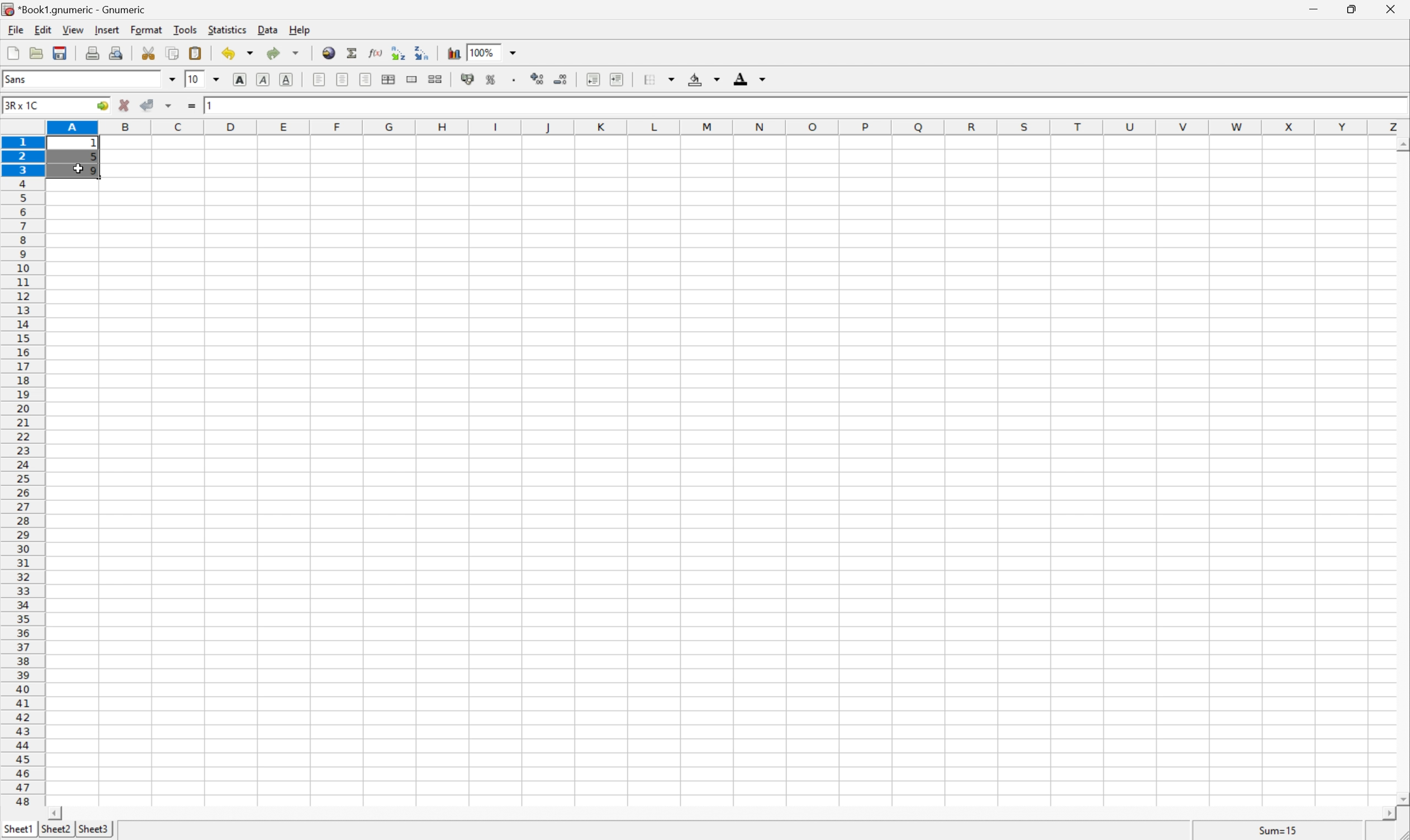  I want to click on view, so click(74, 29).